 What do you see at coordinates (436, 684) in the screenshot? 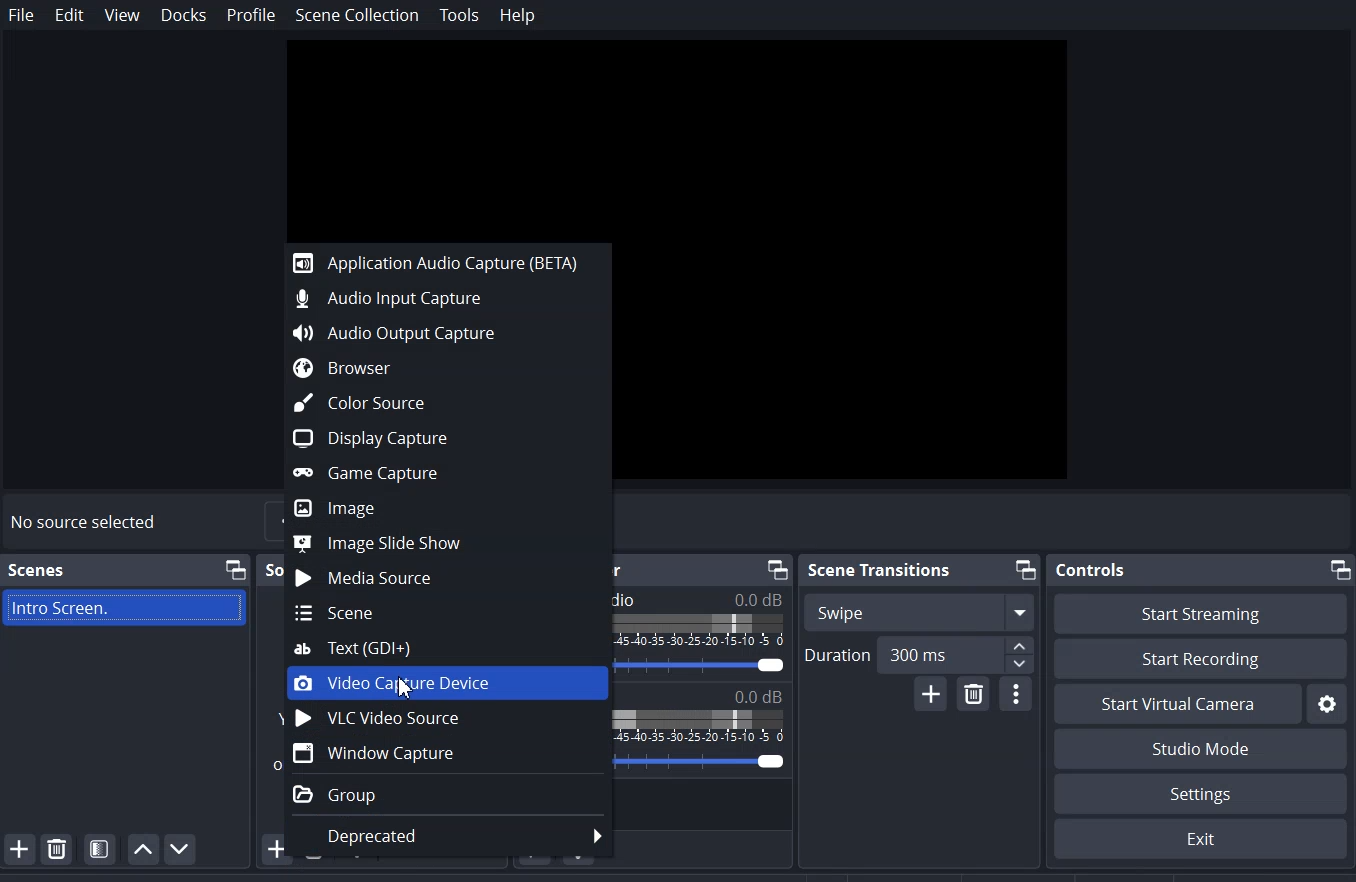
I see `Video Capture Device` at bounding box center [436, 684].